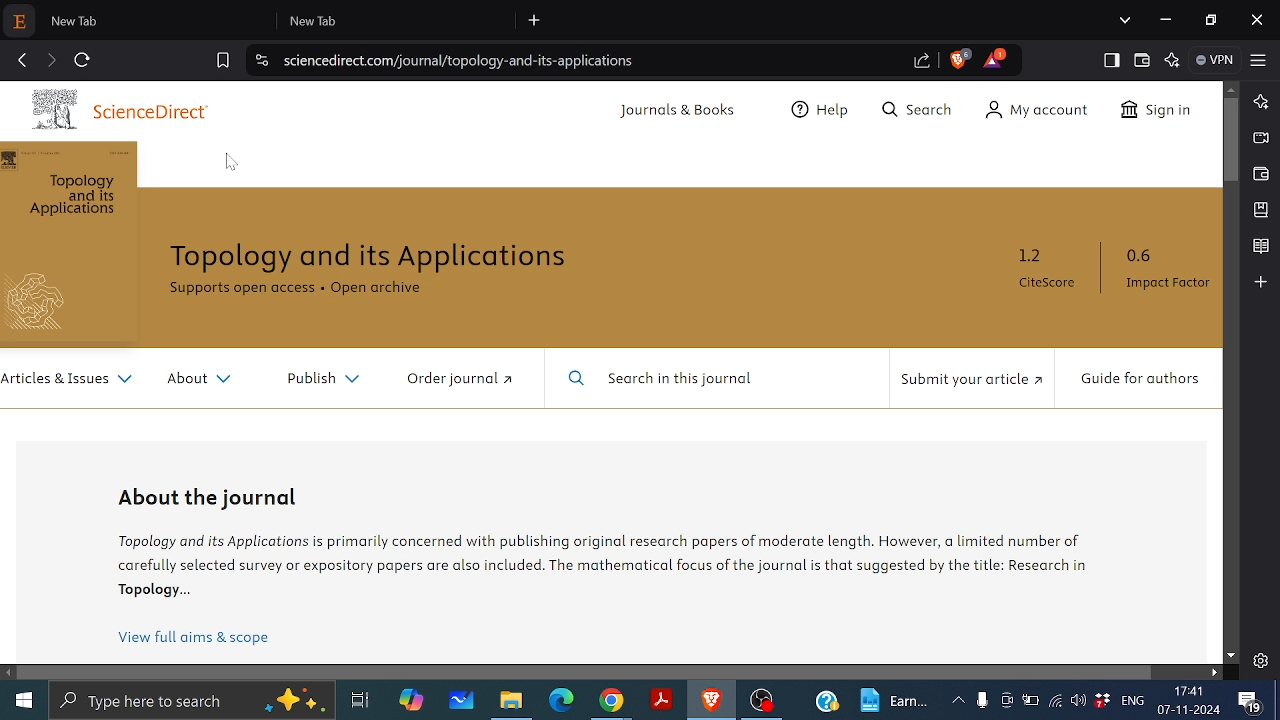 This screenshot has width=1280, height=720. Describe the element at coordinates (1261, 139) in the screenshot. I see `brave meet` at that location.